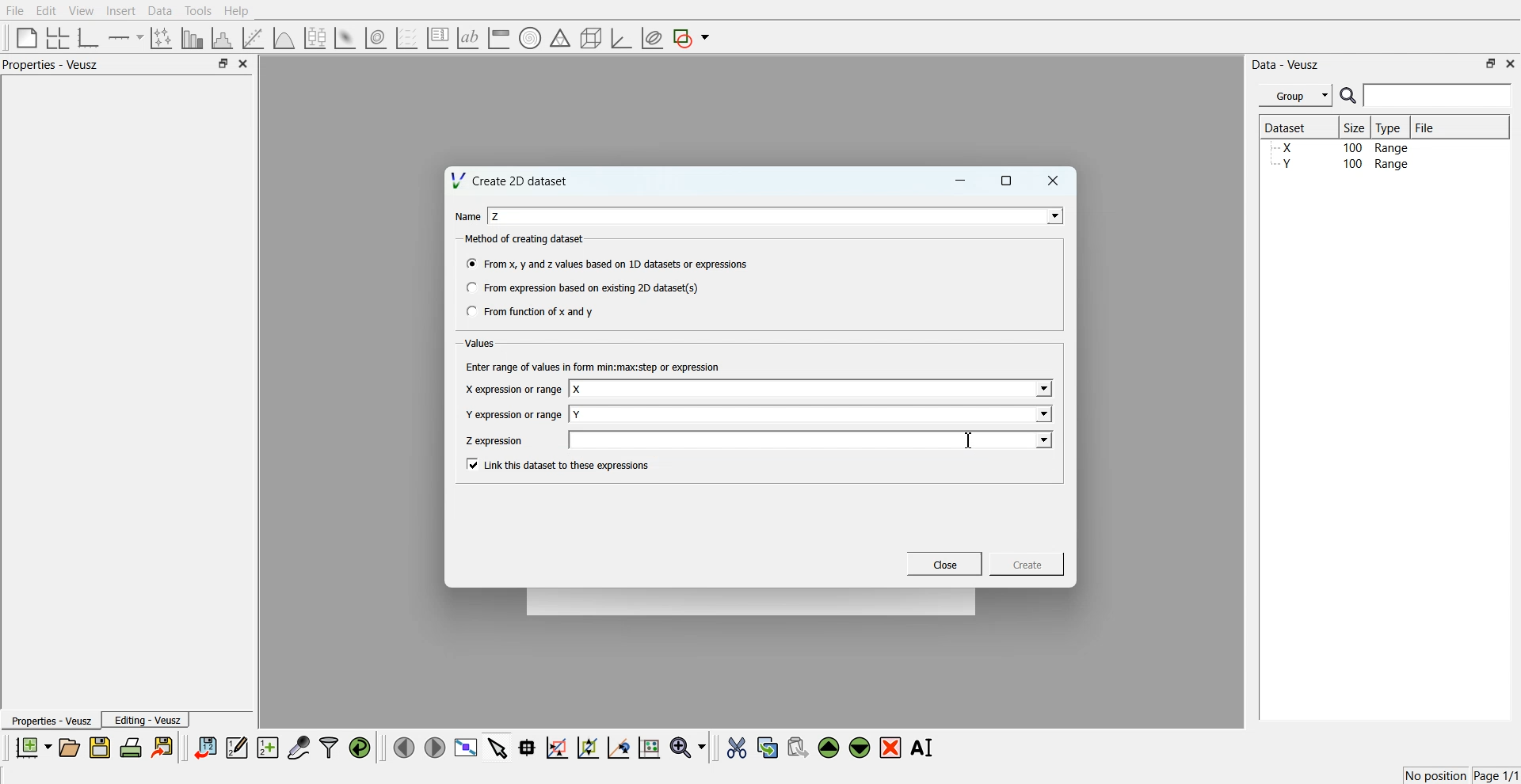  I want to click on 3D Volume, so click(375, 38).